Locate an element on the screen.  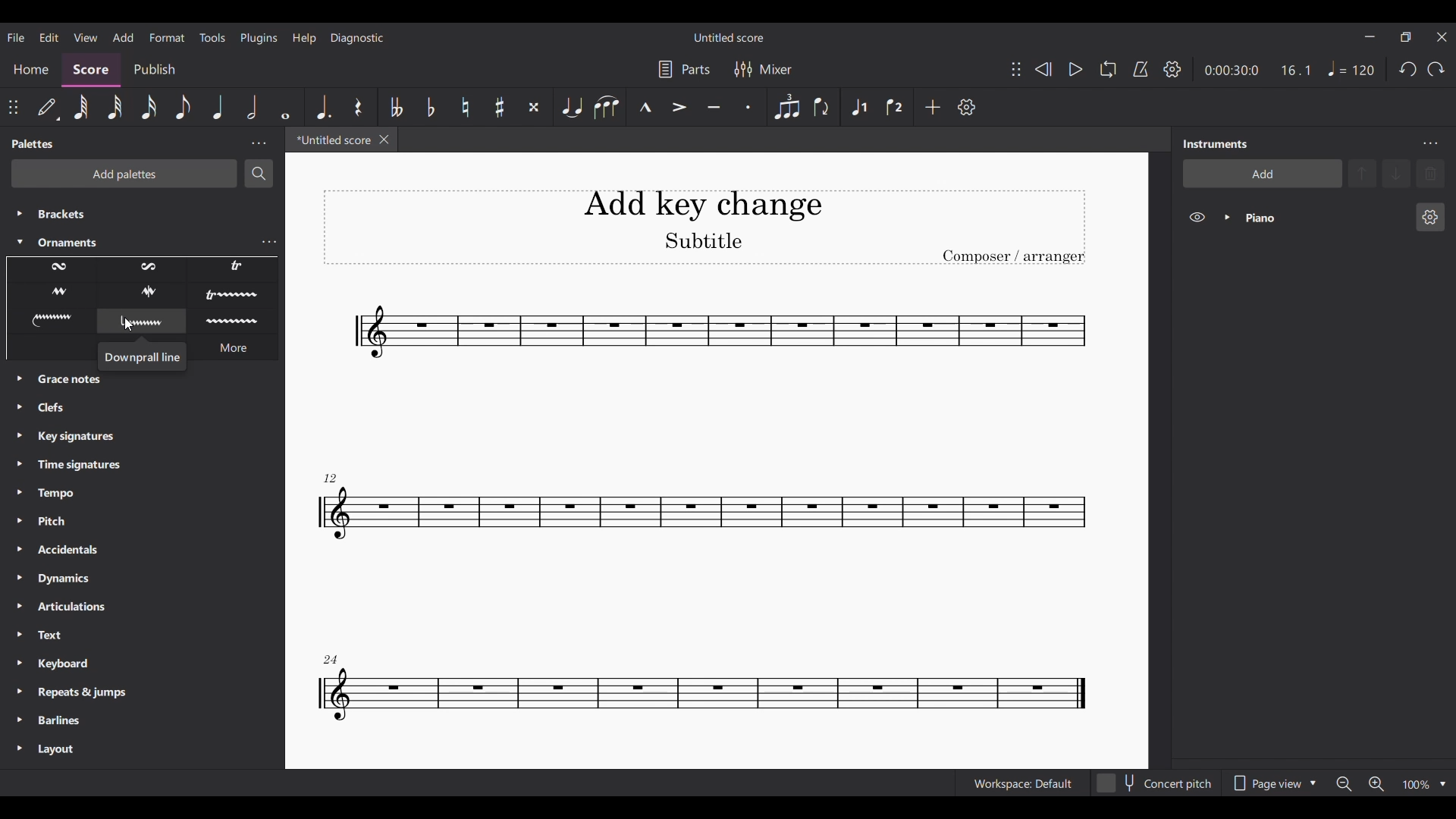
Panel title is located at coordinates (1214, 143).